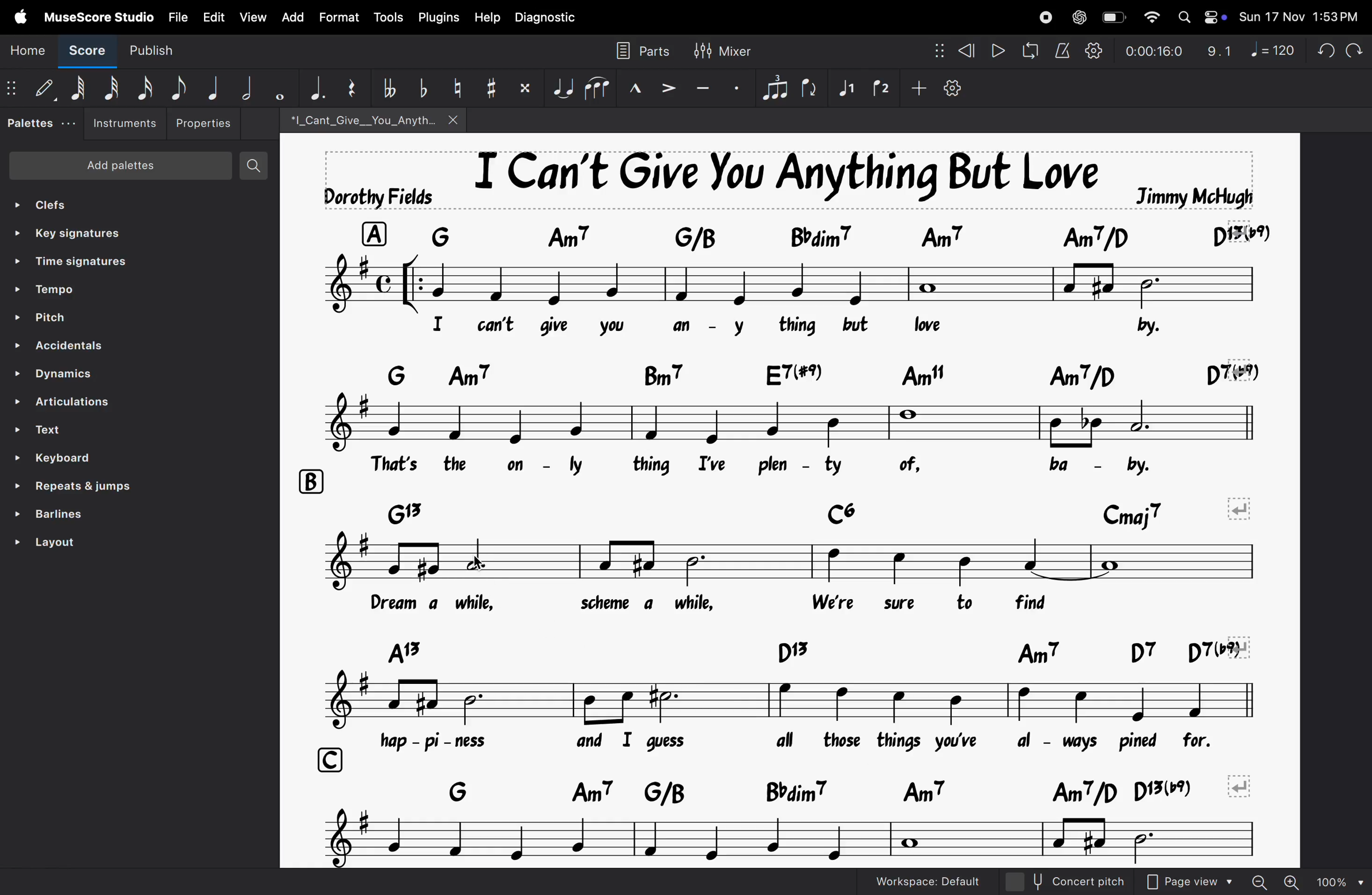 The height and width of the screenshot is (895, 1372). I want to click on tools, so click(385, 18).